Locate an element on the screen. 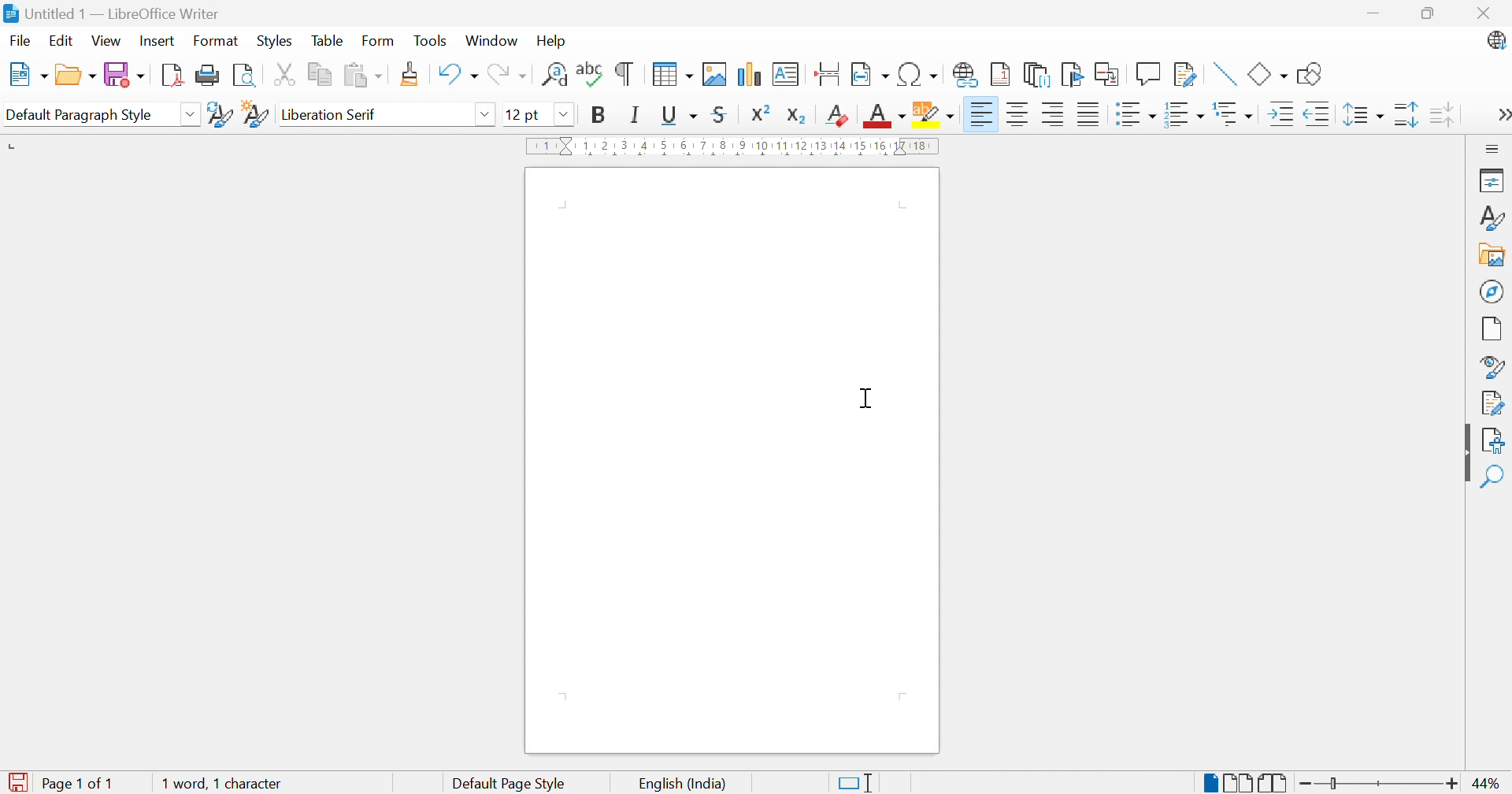  Style is located at coordinates (1493, 218).